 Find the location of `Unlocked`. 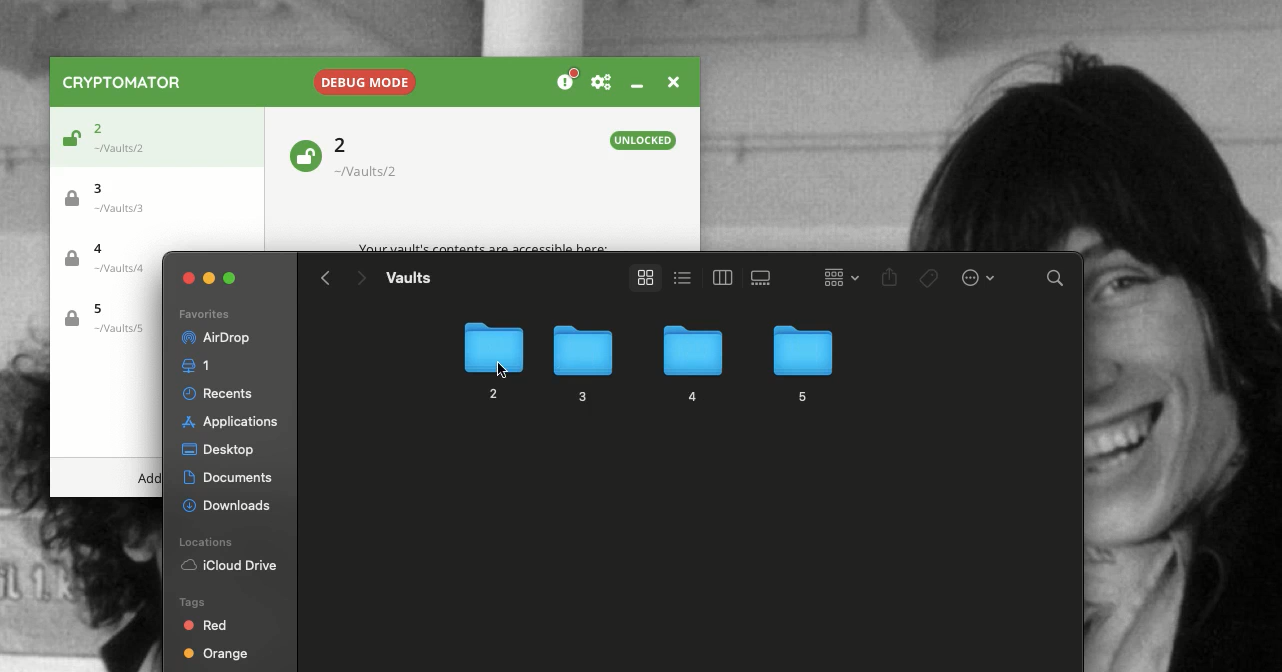

Unlocked is located at coordinates (68, 141).